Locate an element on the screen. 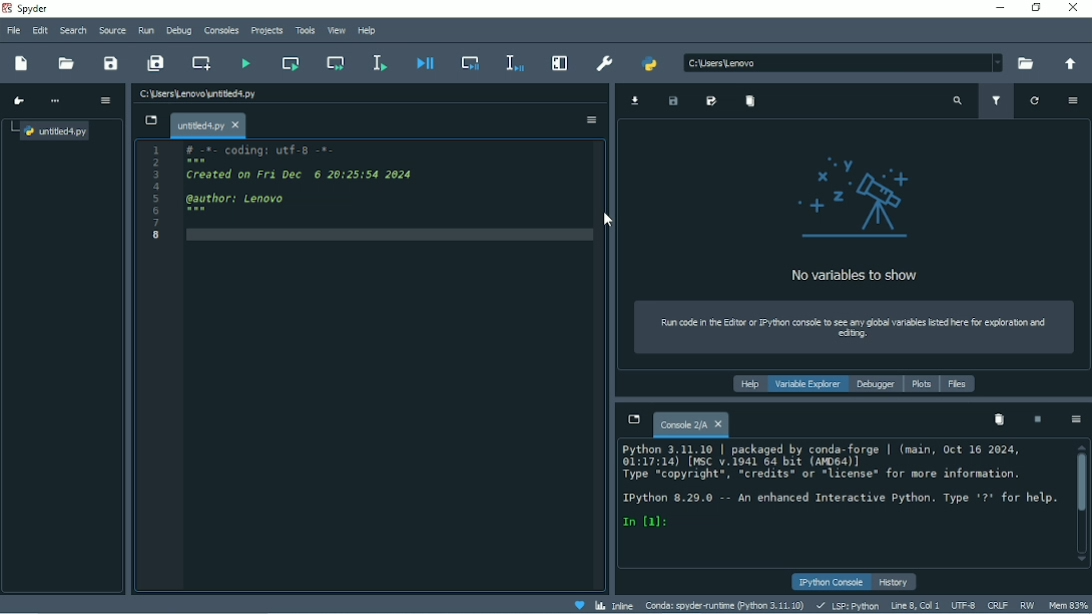  Debug file is located at coordinates (423, 65).